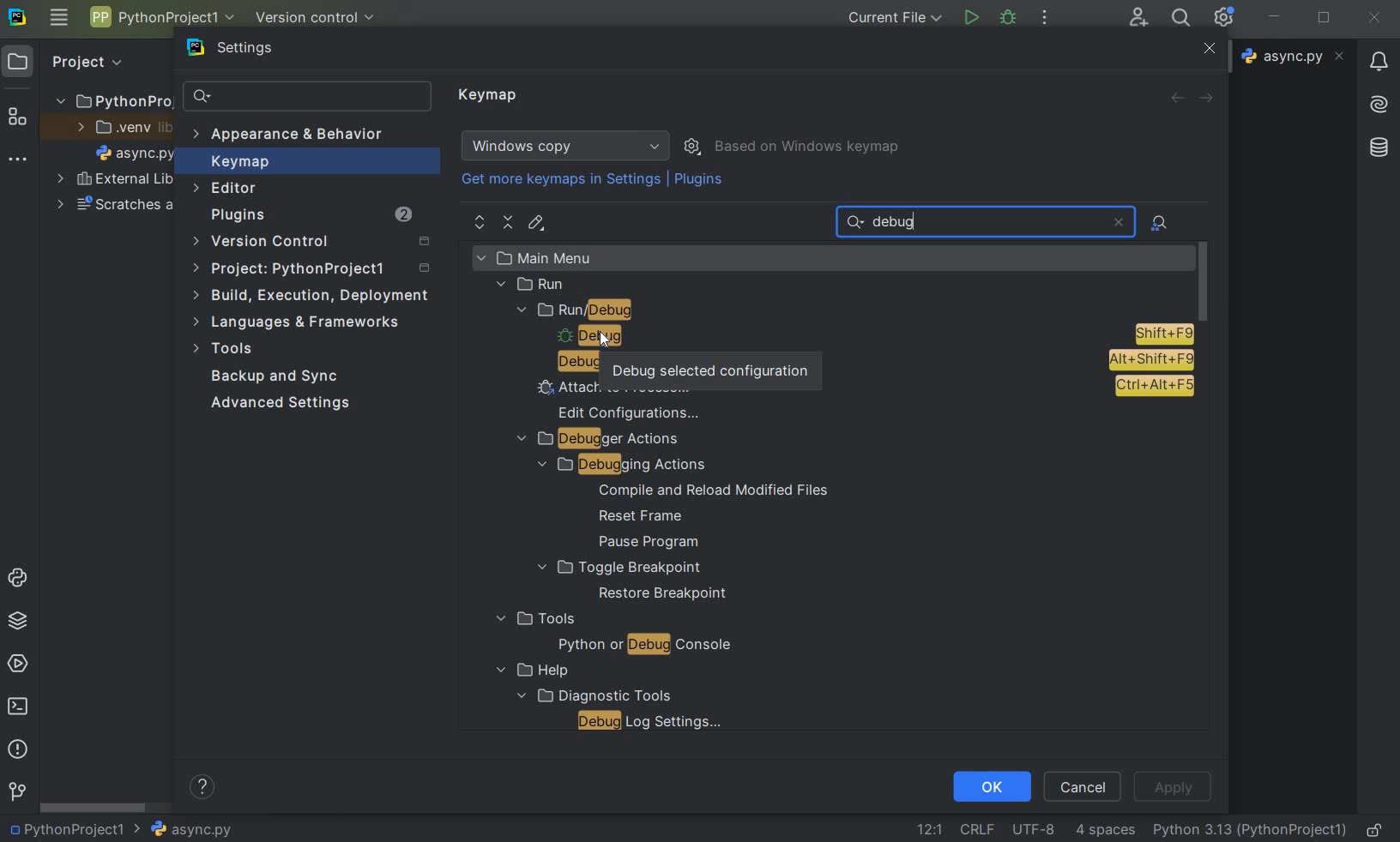 This screenshot has width=1400, height=842. Describe the element at coordinates (976, 830) in the screenshot. I see `line separator` at that location.